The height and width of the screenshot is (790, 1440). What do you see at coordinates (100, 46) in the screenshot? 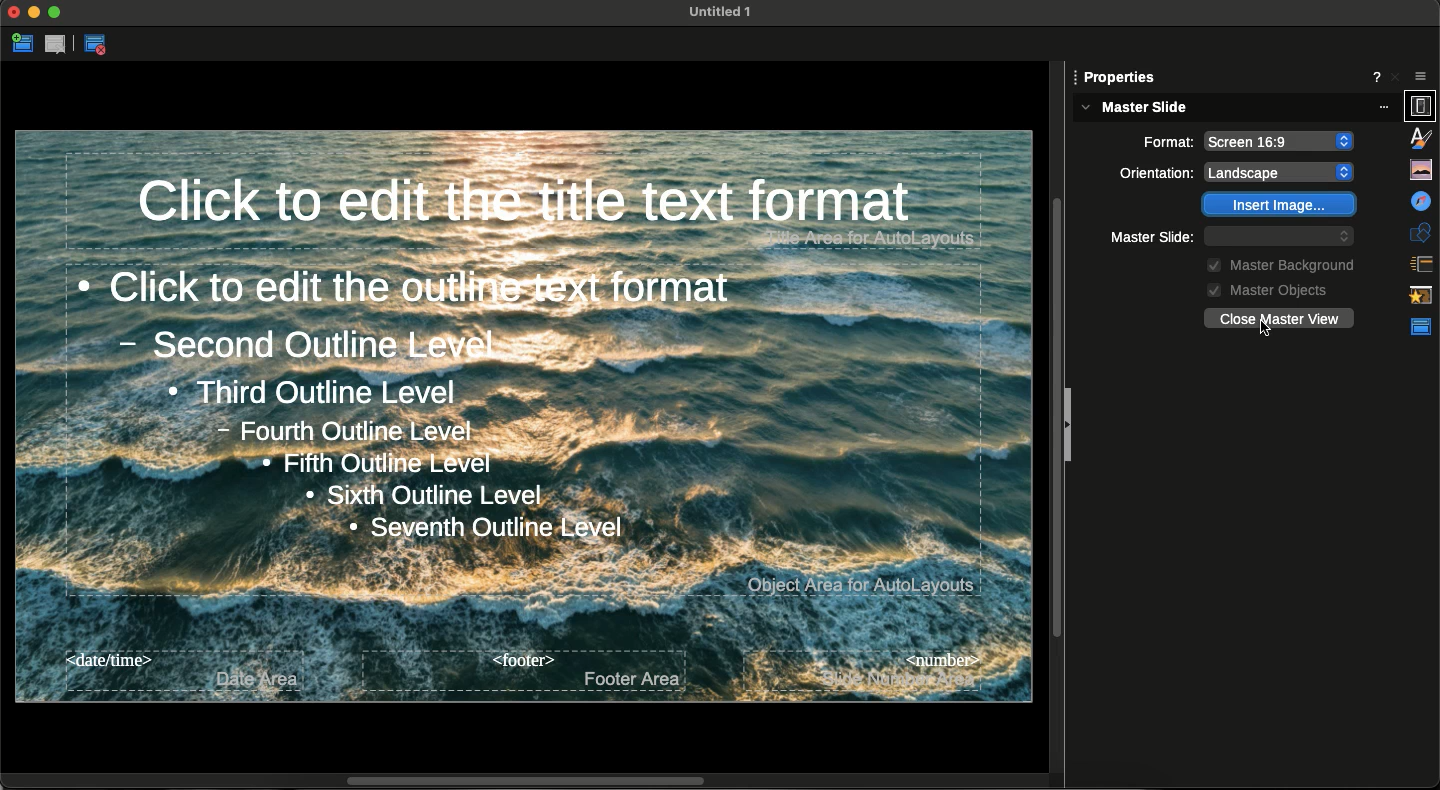
I see `Close master view` at bounding box center [100, 46].